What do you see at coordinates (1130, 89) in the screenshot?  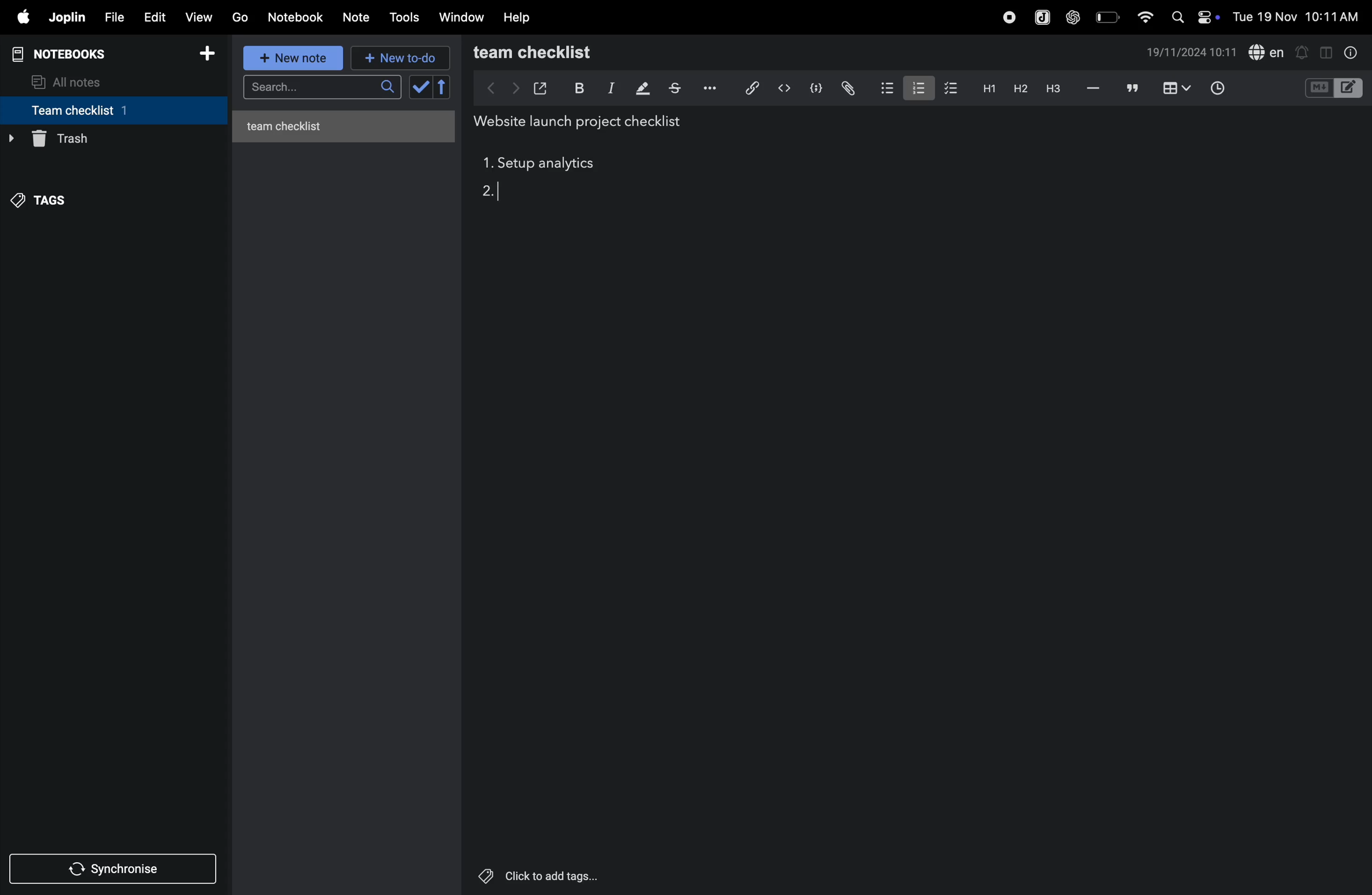 I see `comments` at bounding box center [1130, 89].